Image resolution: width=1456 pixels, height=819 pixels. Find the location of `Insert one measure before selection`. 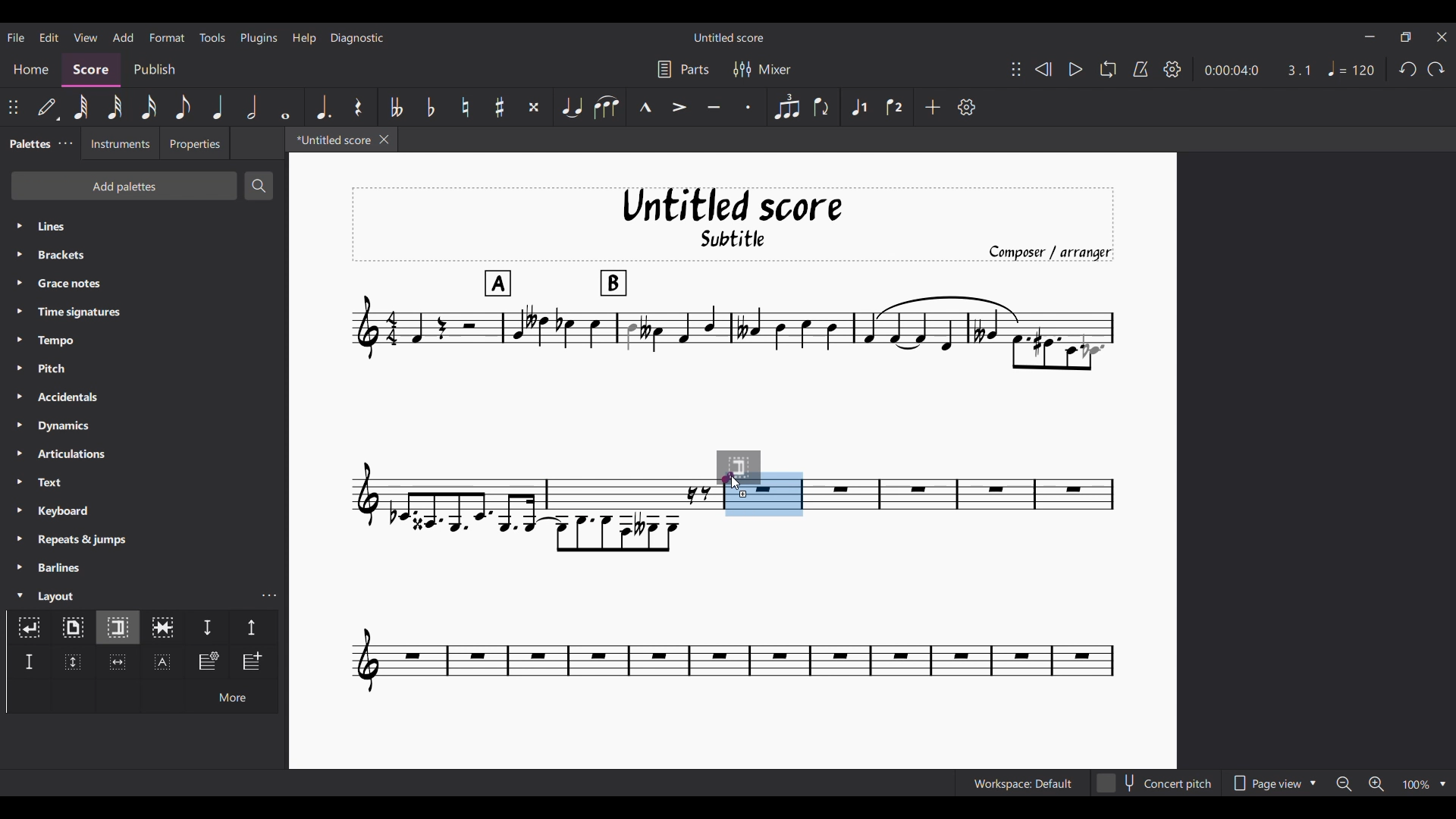

Insert one measure before selection is located at coordinates (253, 662).